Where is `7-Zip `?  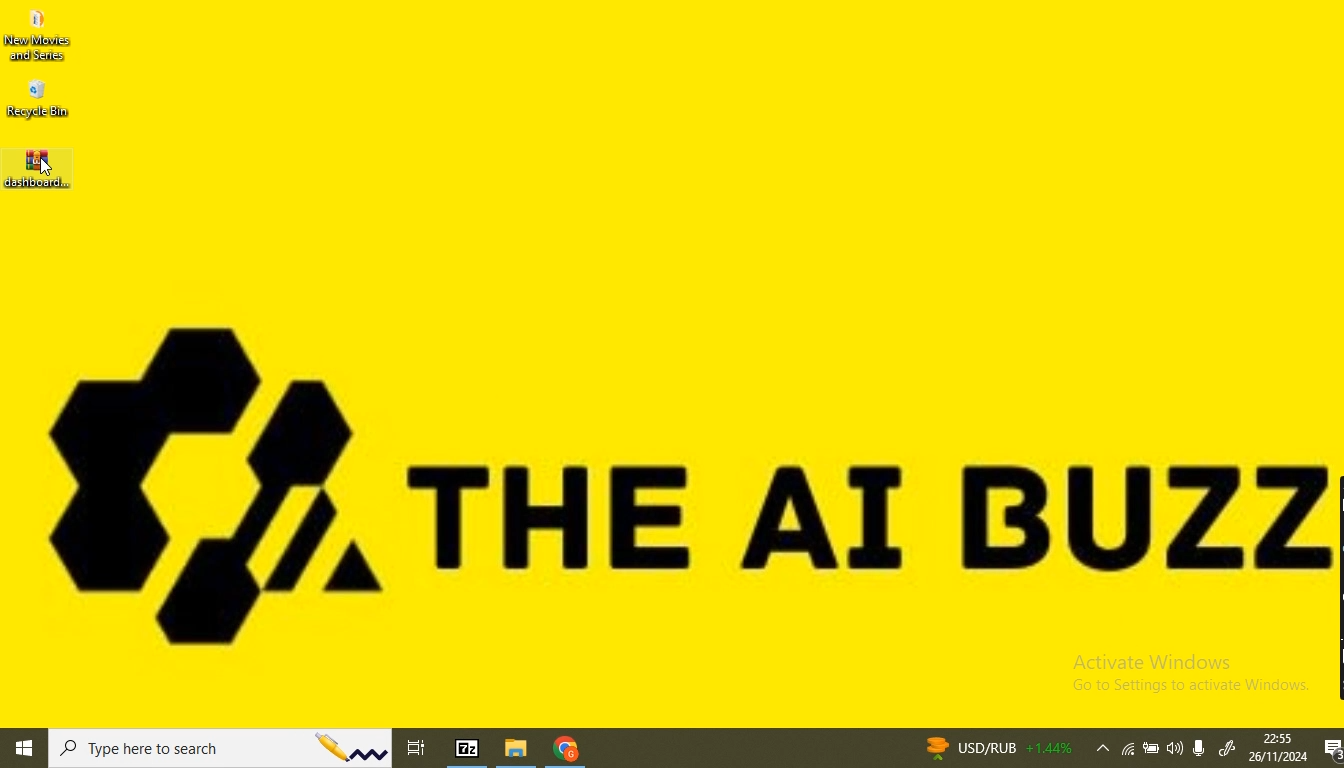
7-Zip  is located at coordinates (469, 747).